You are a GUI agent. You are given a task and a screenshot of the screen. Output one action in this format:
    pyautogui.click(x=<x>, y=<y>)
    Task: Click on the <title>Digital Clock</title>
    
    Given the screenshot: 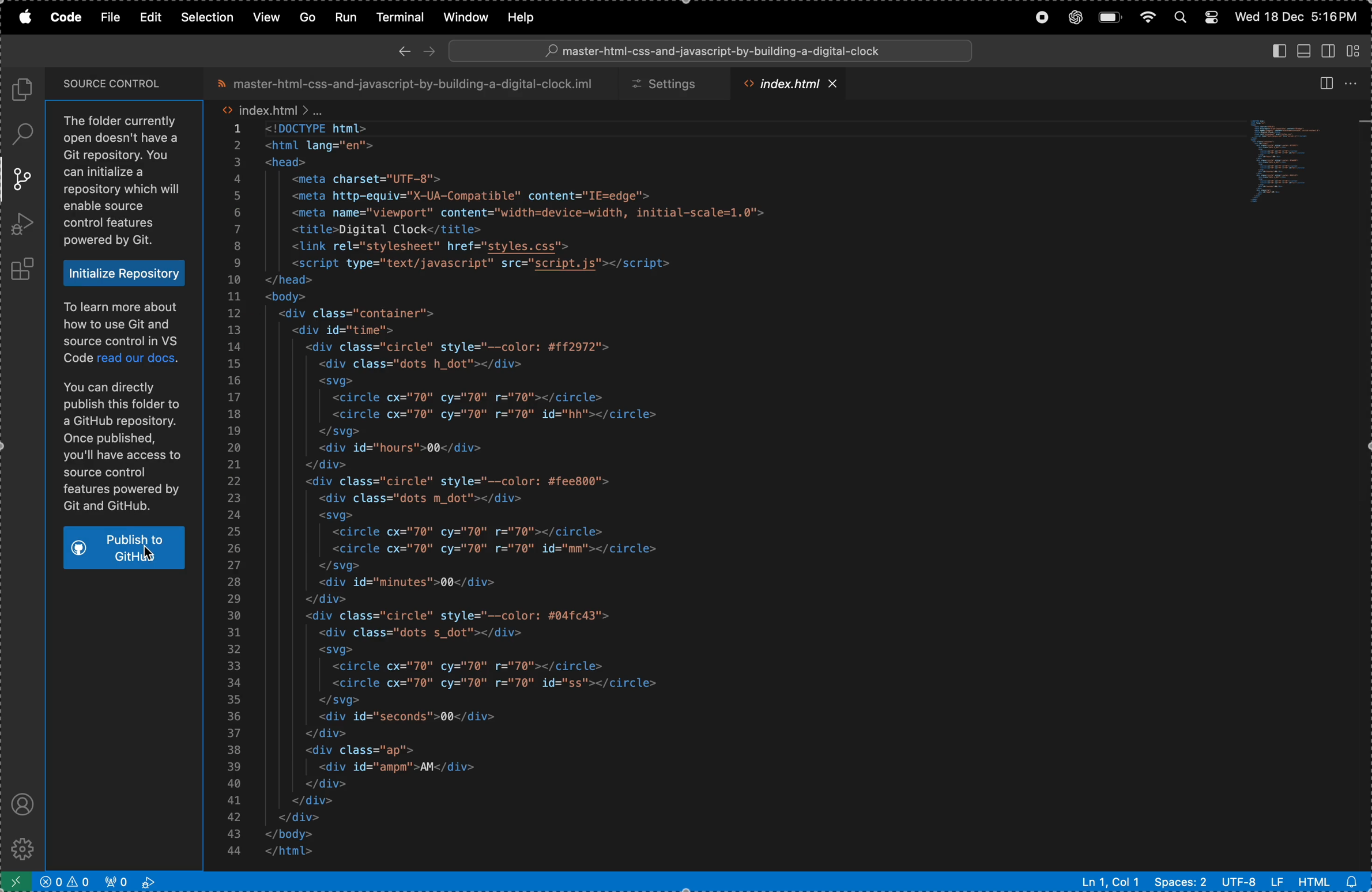 What is the action you would take?
    pyautogui.click(x=389, y=230)
    